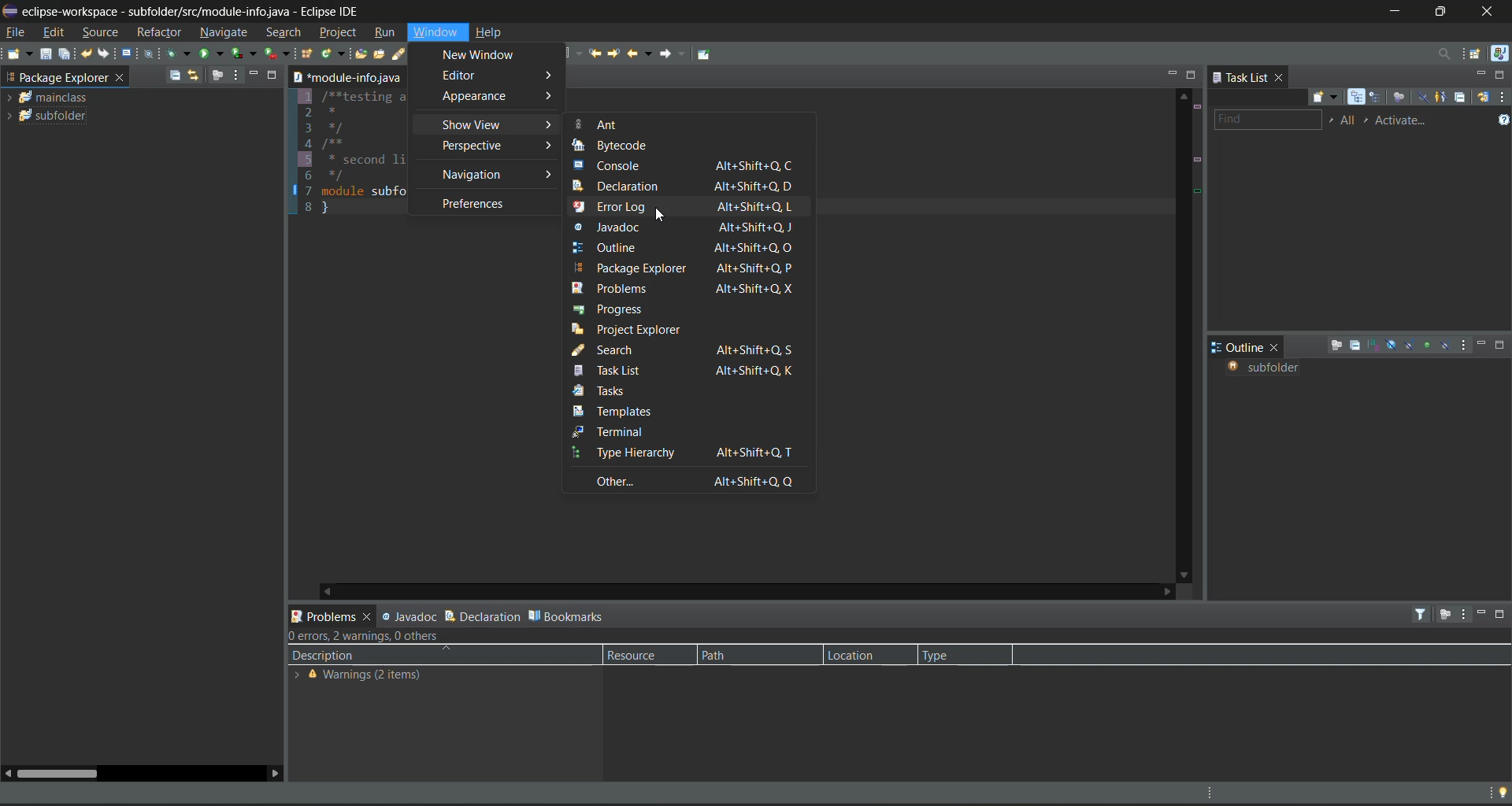 This screenshot has height=806, width=1512. I want to click on outline, so click(684, 248).